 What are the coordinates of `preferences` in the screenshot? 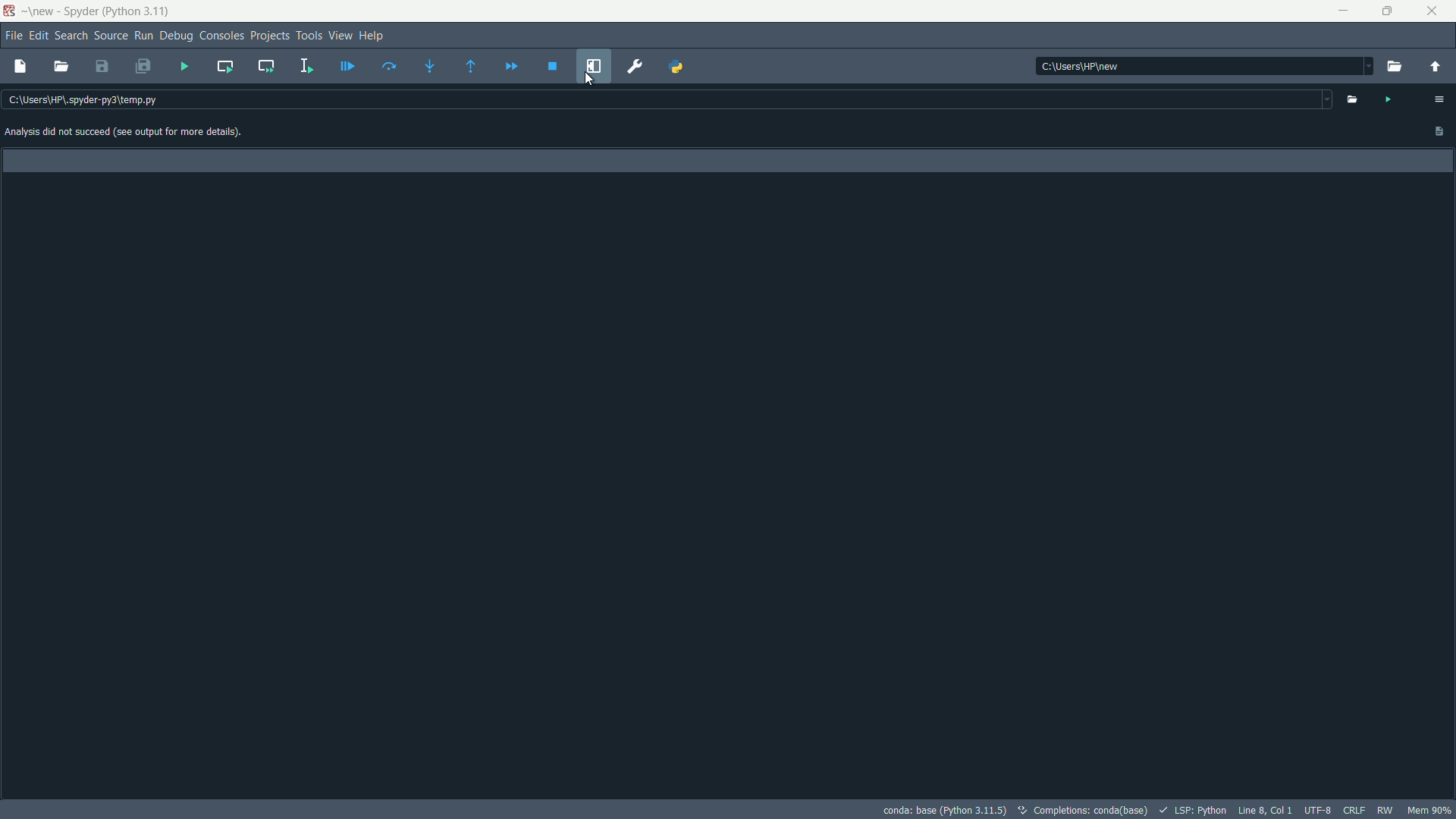 It's located at (635, 67).